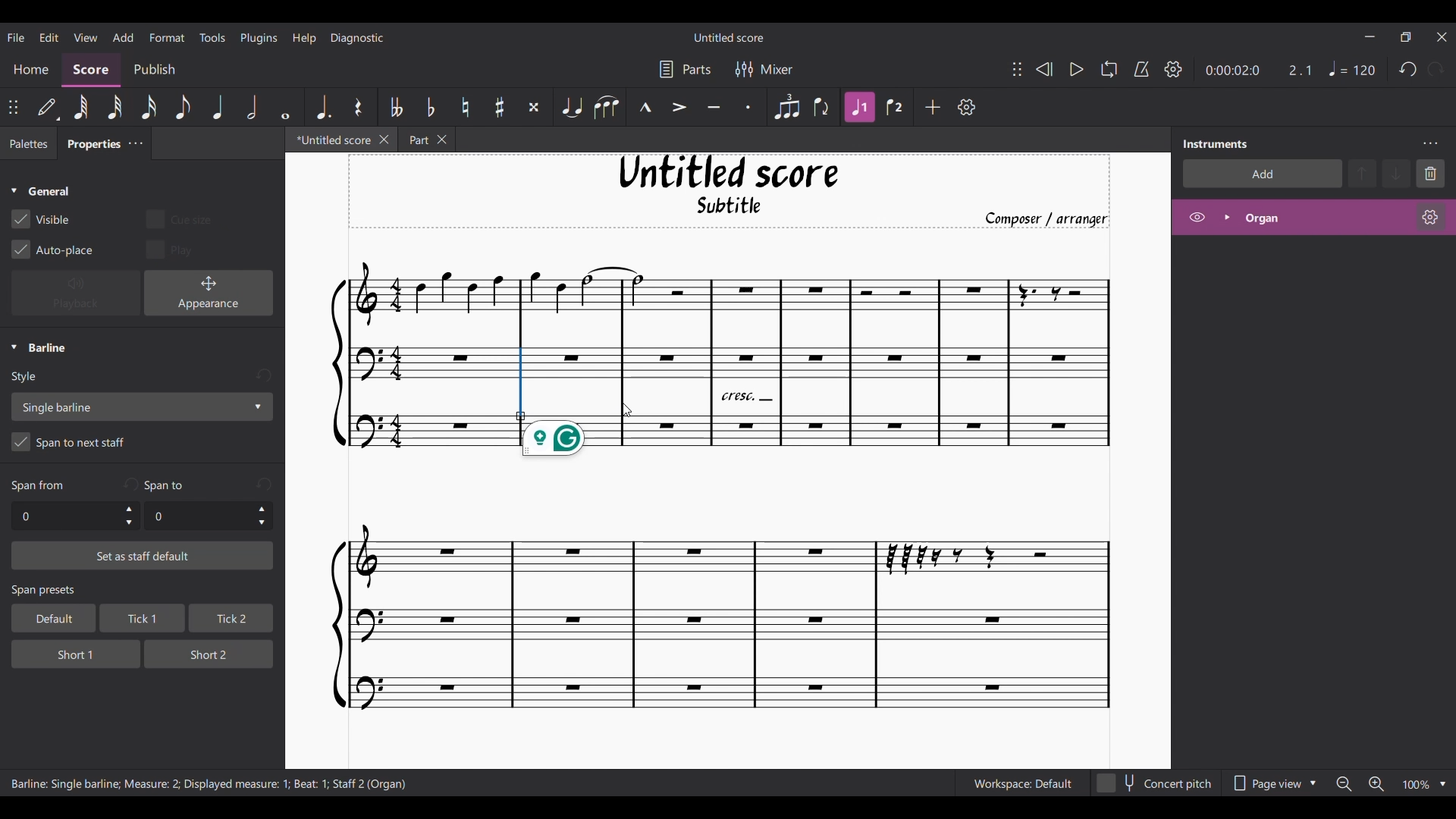 The width and height of the screenshot is (1456, 819). Describe the element at coordinates (287, 106) in the screenshot. I see `Whole note` at that location.